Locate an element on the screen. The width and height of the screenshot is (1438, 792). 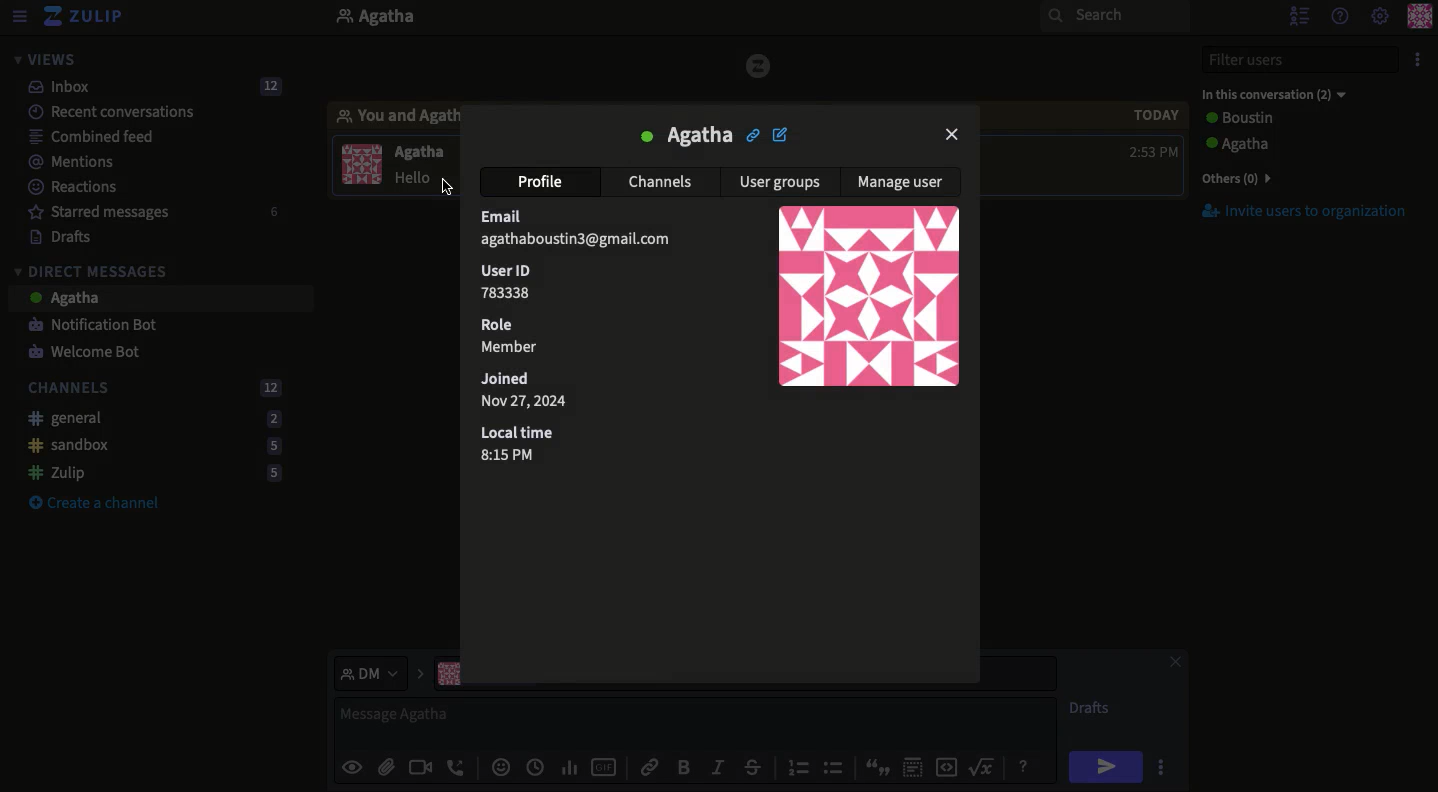
Role - member is located at coordinates (508, 338).